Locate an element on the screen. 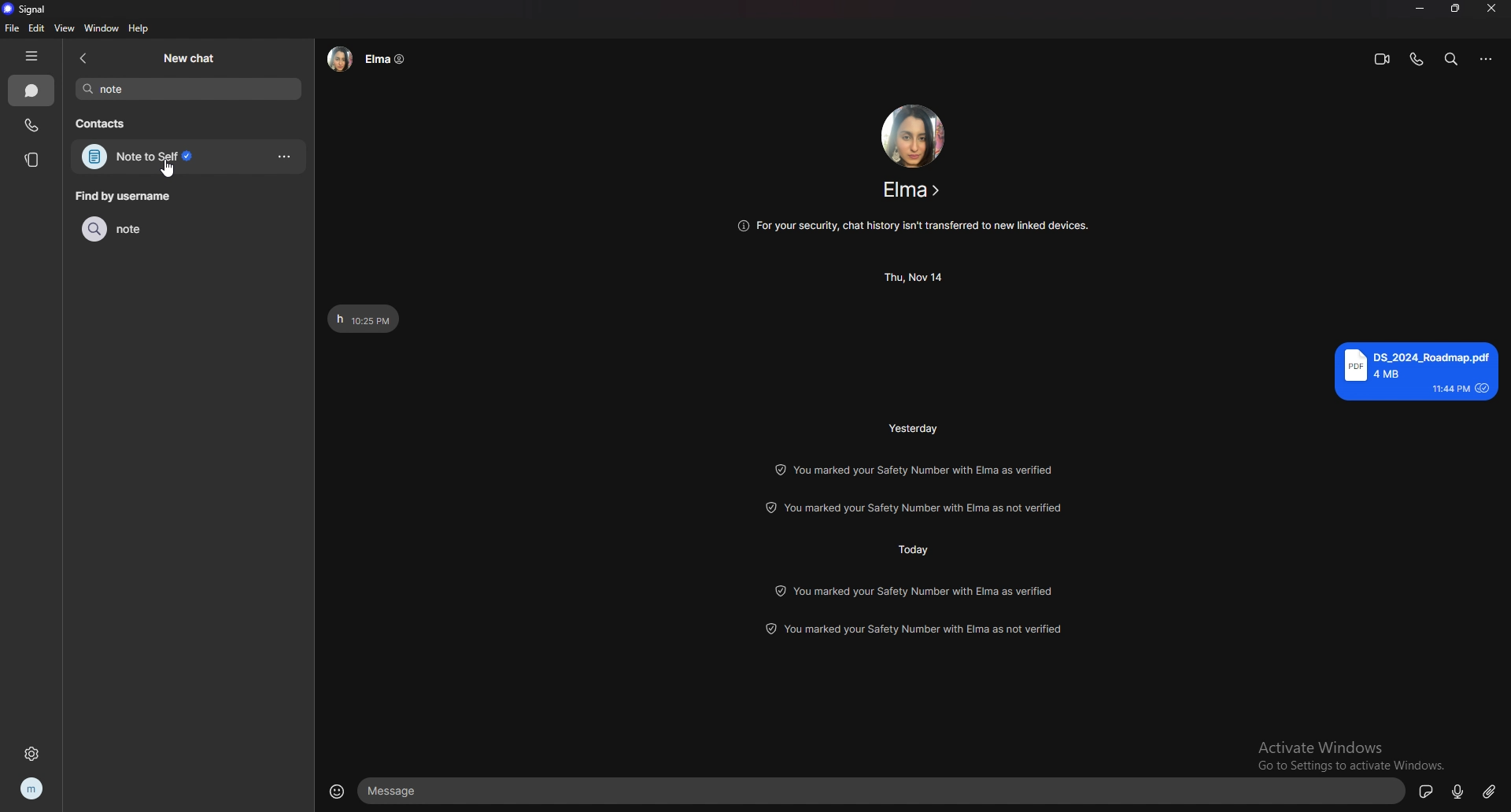 The height and width of the screenshot is (812, 1511). view is located at coordinates (65, 29).